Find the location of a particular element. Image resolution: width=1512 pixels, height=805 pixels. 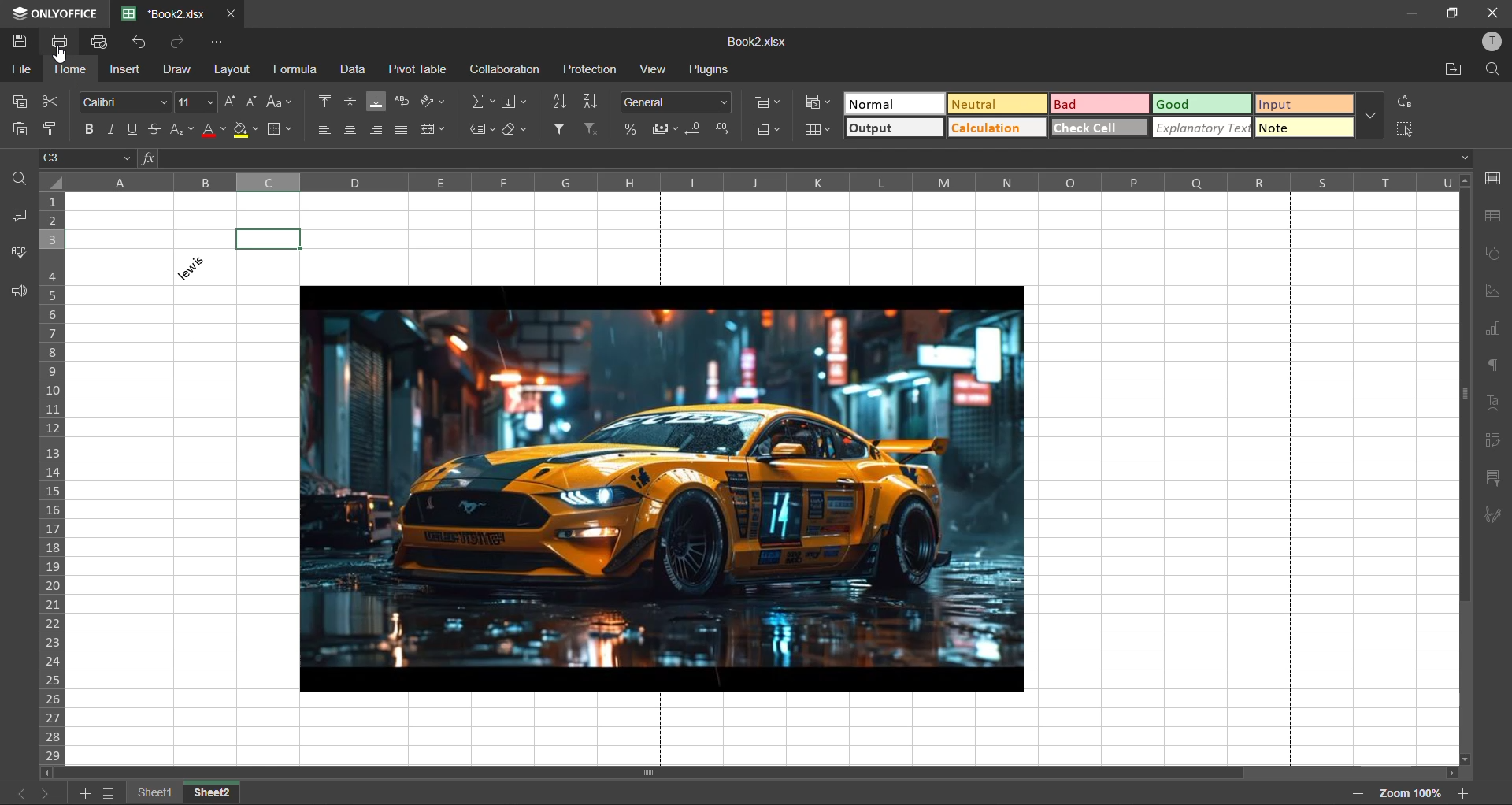

percent is located at coordinates (636, 129).